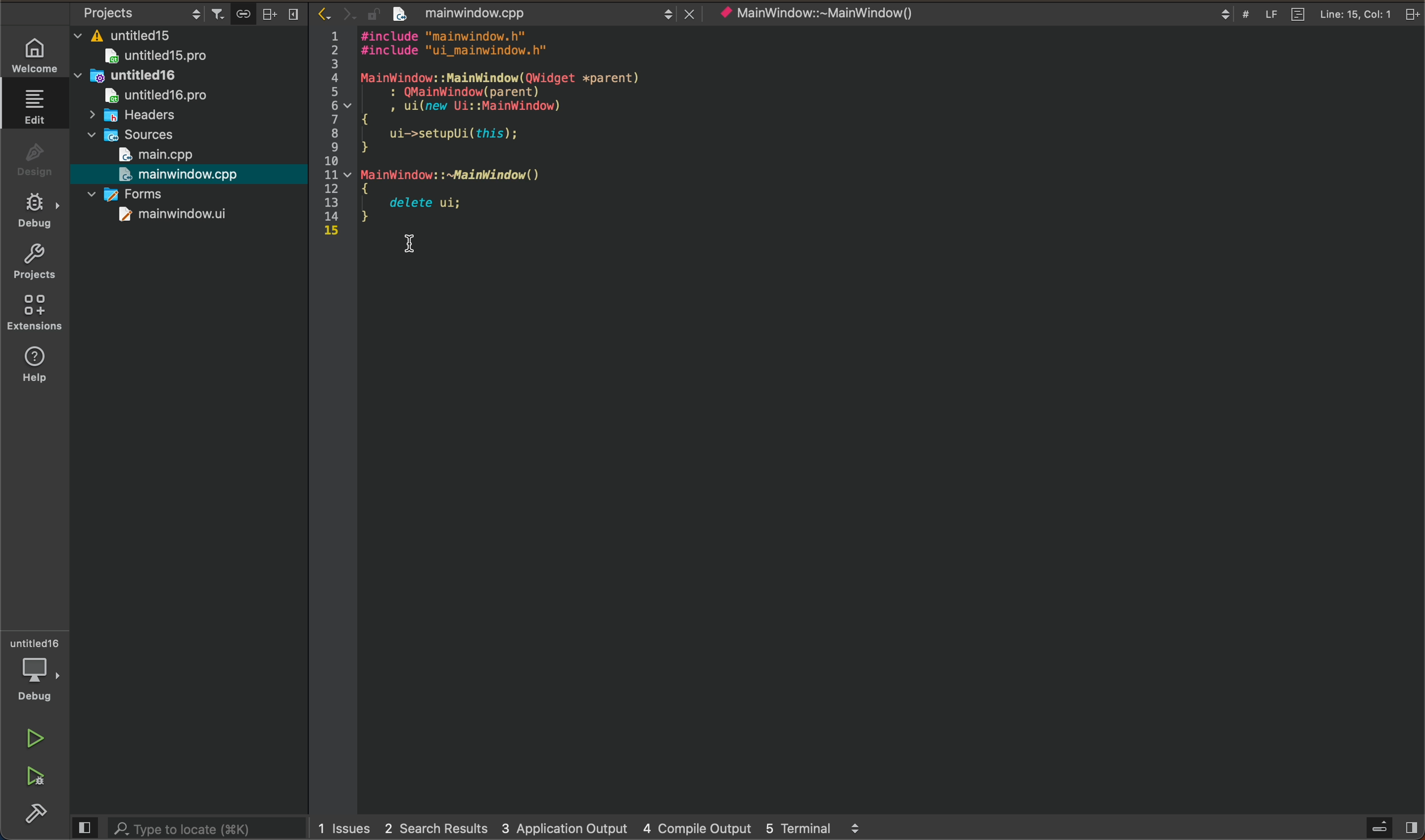 This screenshot has width=1425, height=840. Describe the element at coordinates (217, 10) in the screenshot. I see `Filter` at that location.